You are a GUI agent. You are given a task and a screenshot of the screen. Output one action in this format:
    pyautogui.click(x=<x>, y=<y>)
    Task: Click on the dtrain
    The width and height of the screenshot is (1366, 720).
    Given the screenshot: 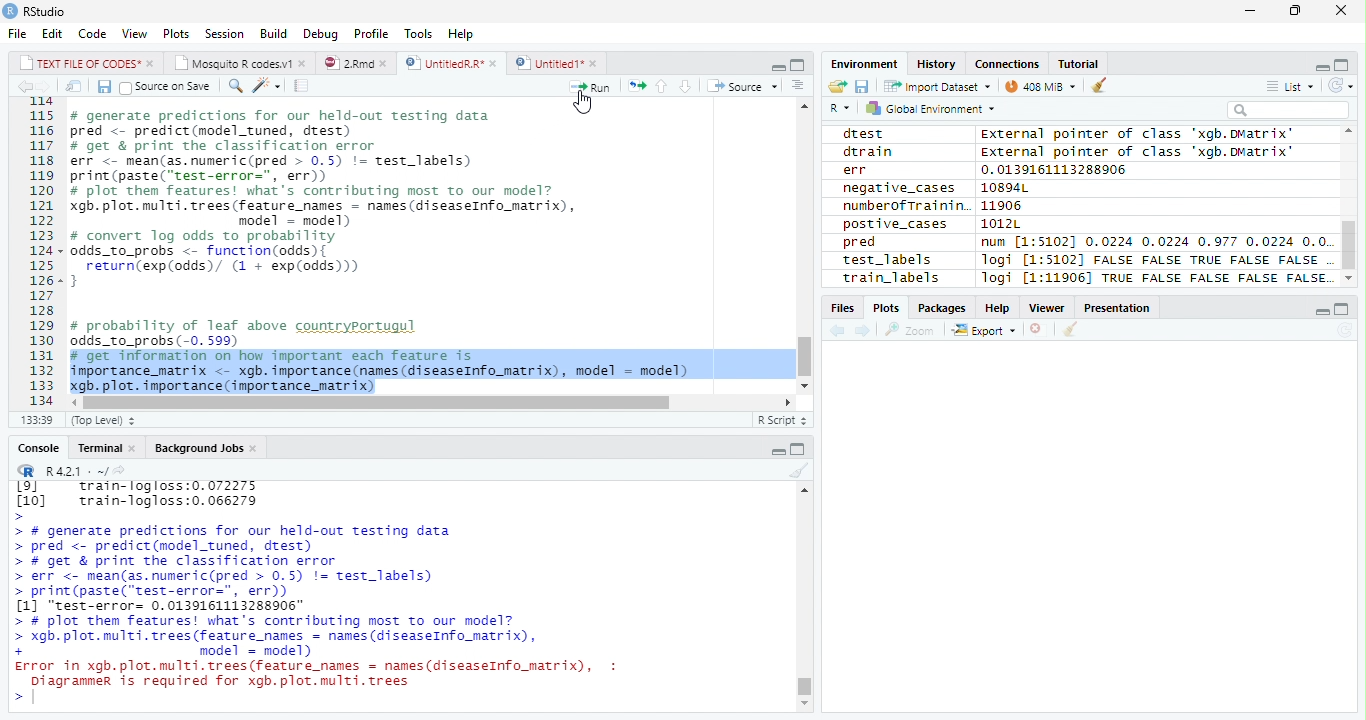 What is the action you would take?
    pyautogui.click(x=867, y=152)
    